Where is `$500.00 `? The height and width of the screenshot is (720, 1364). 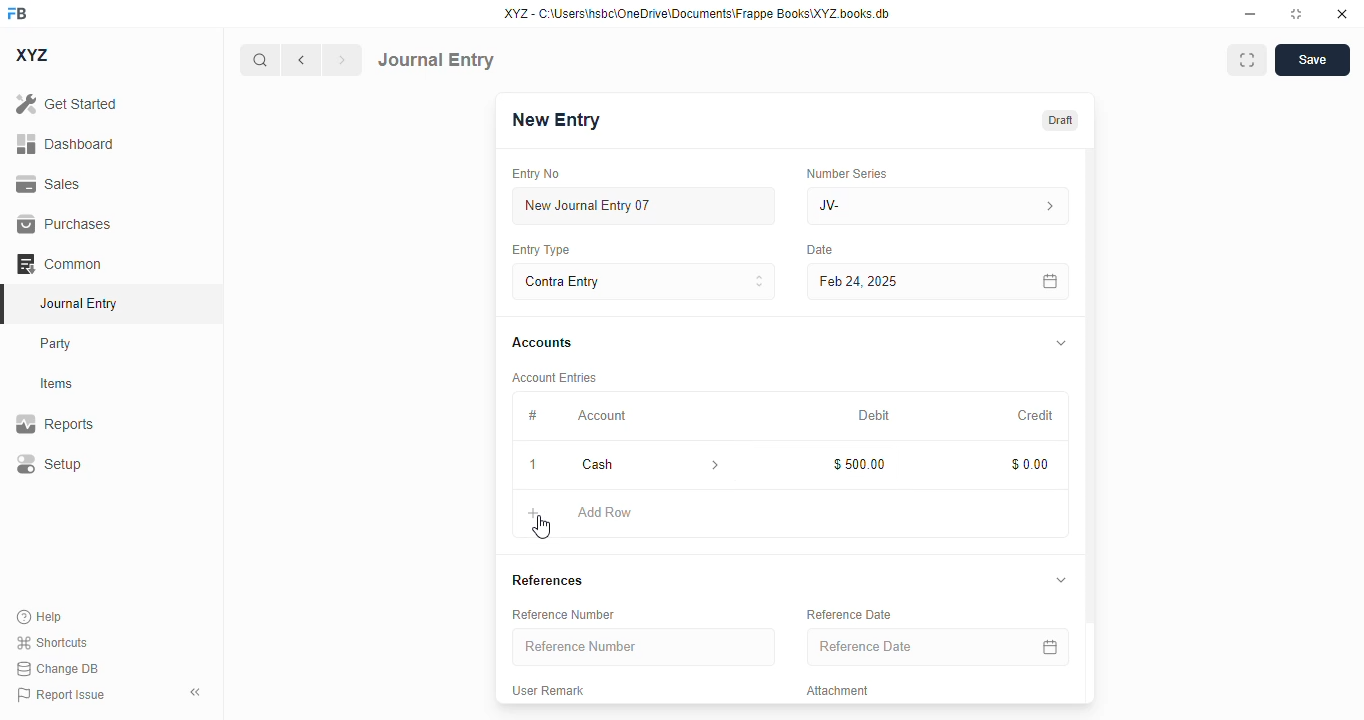 $500.00  is located at coordinates (860, 464).